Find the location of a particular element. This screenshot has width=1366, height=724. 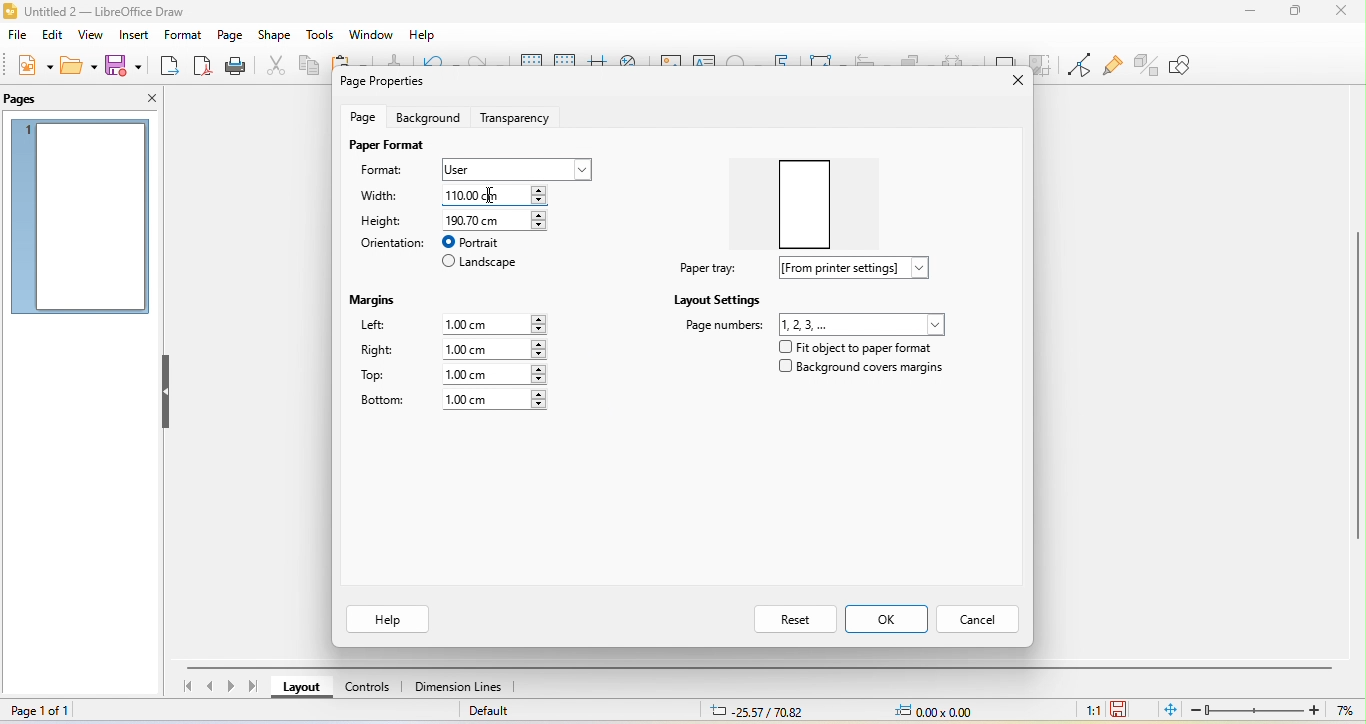

vertical scroll bar is located at coordinates (1357, 380).